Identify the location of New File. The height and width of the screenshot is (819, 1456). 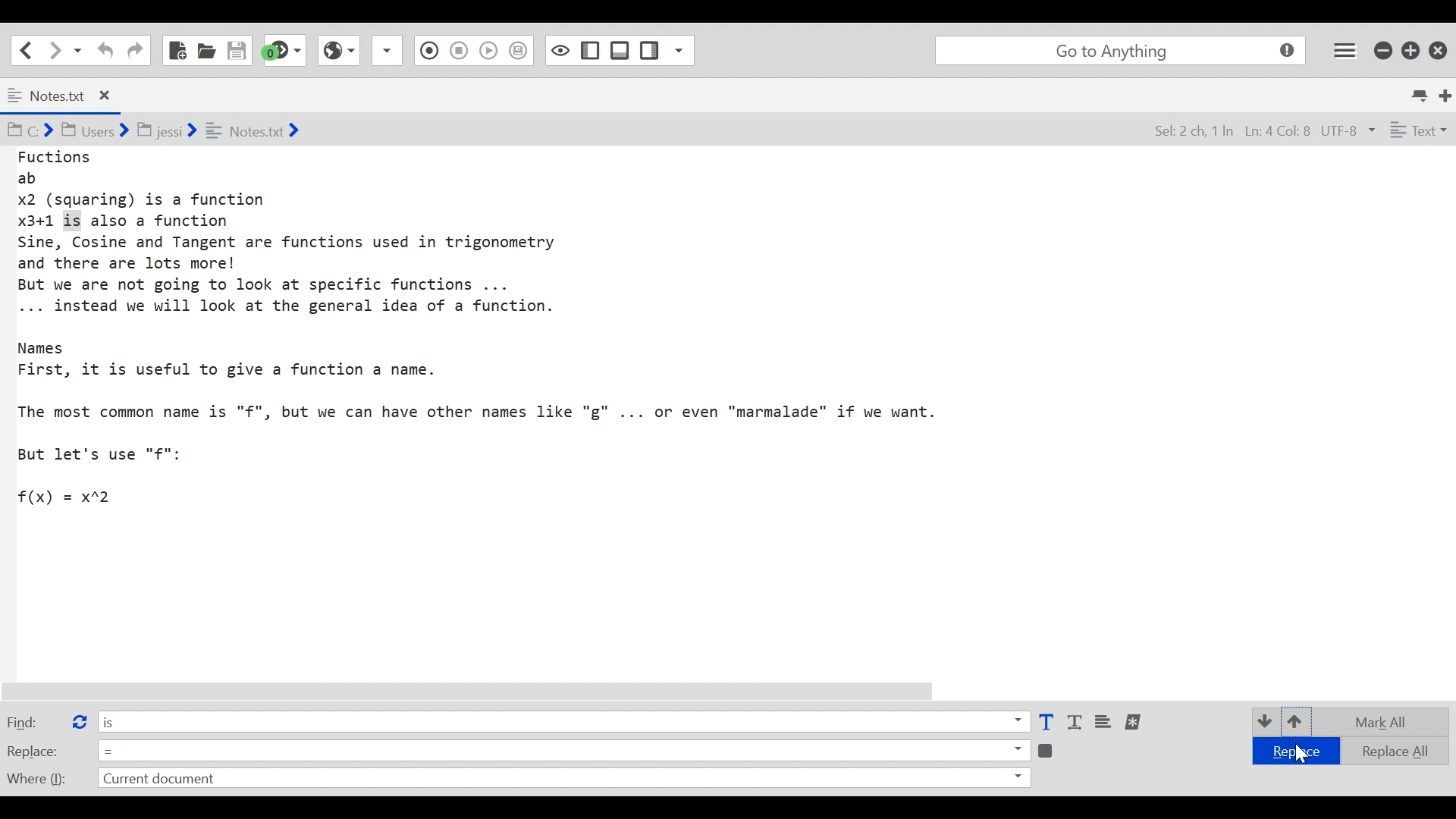
(176, 50).